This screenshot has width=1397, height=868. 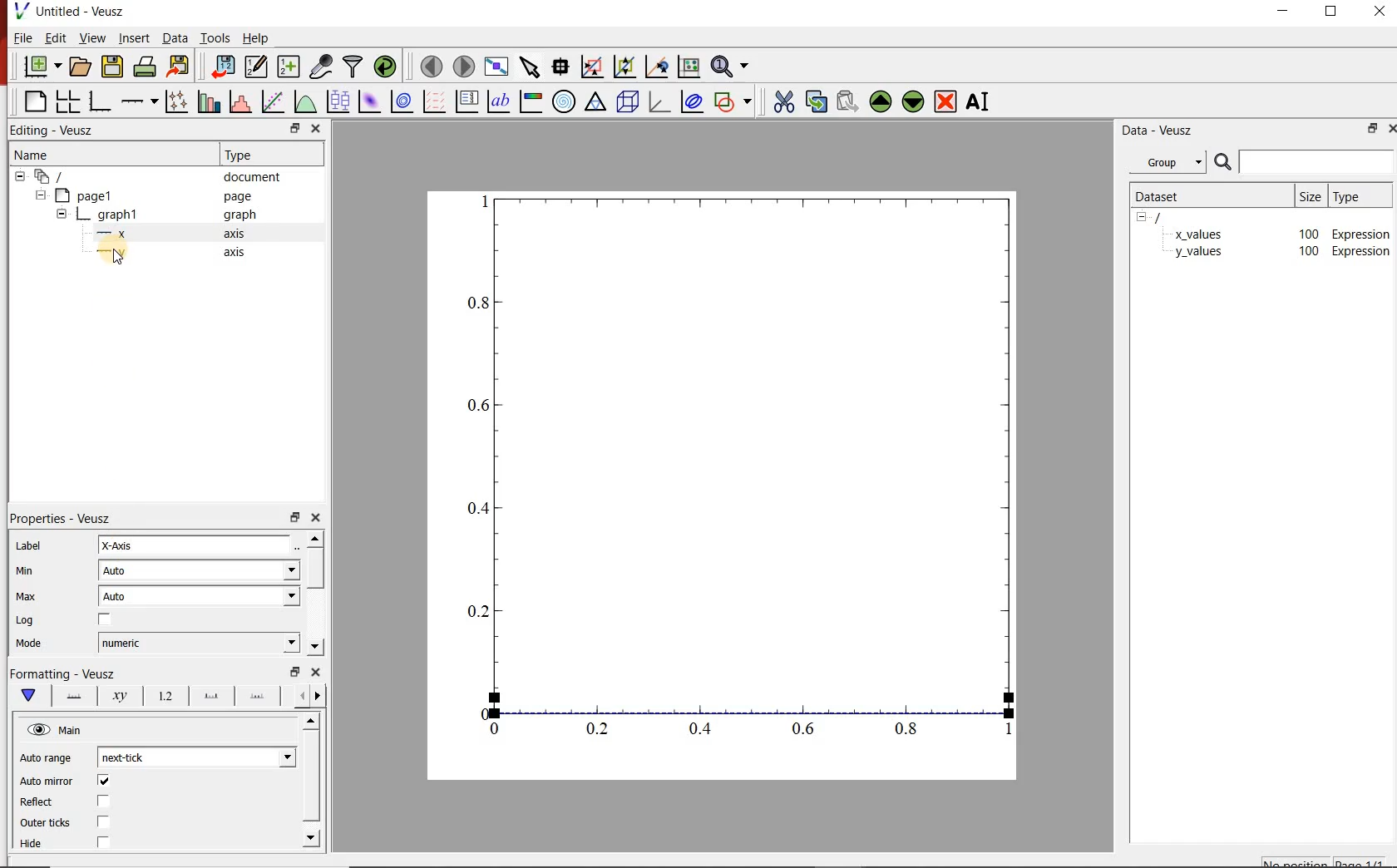 What do you see at coordinates (175, 102) in the screenshot?
I see `plot points` at bounding box center [175, 102].